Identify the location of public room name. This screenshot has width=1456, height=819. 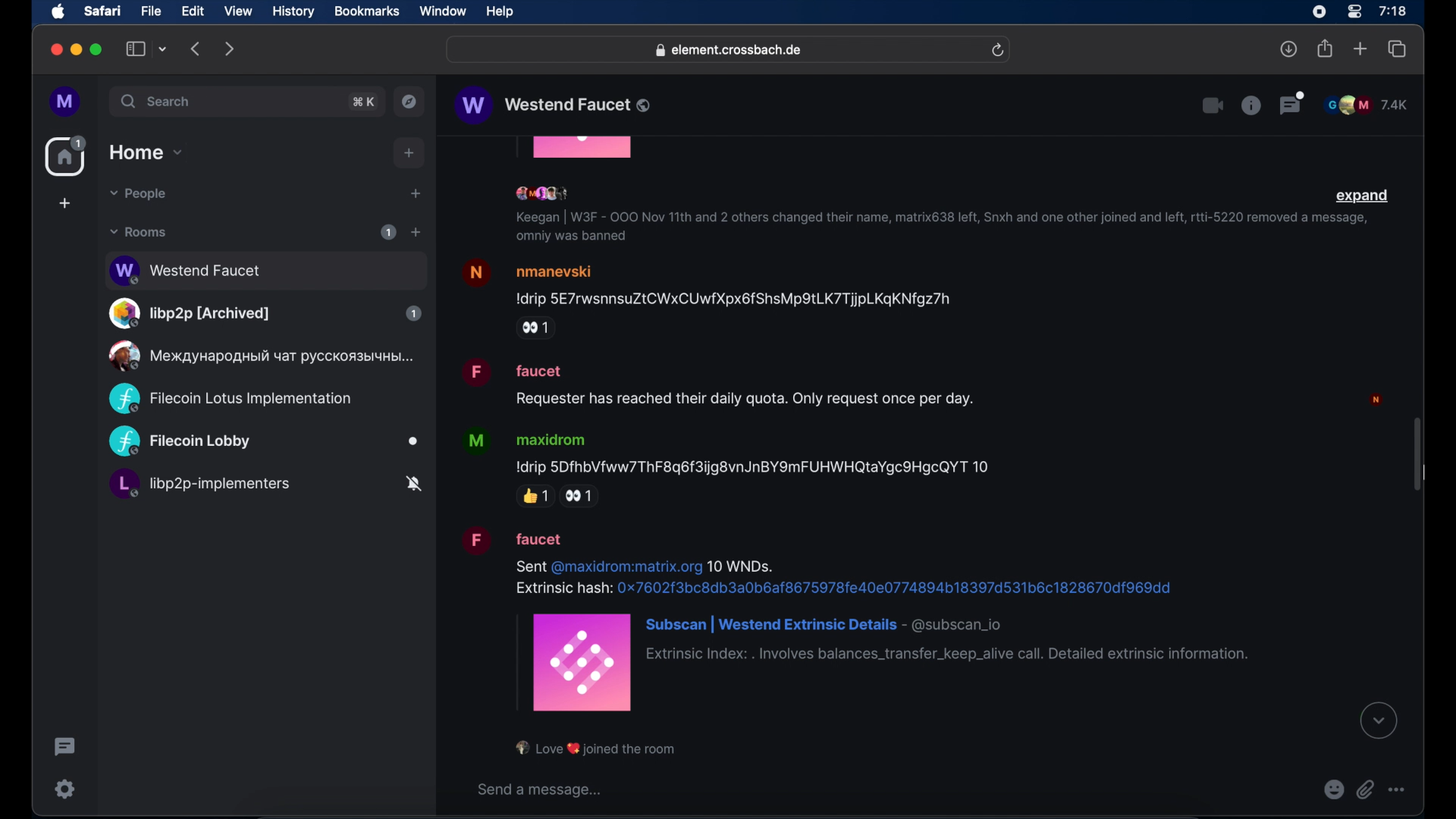
(554, 105).